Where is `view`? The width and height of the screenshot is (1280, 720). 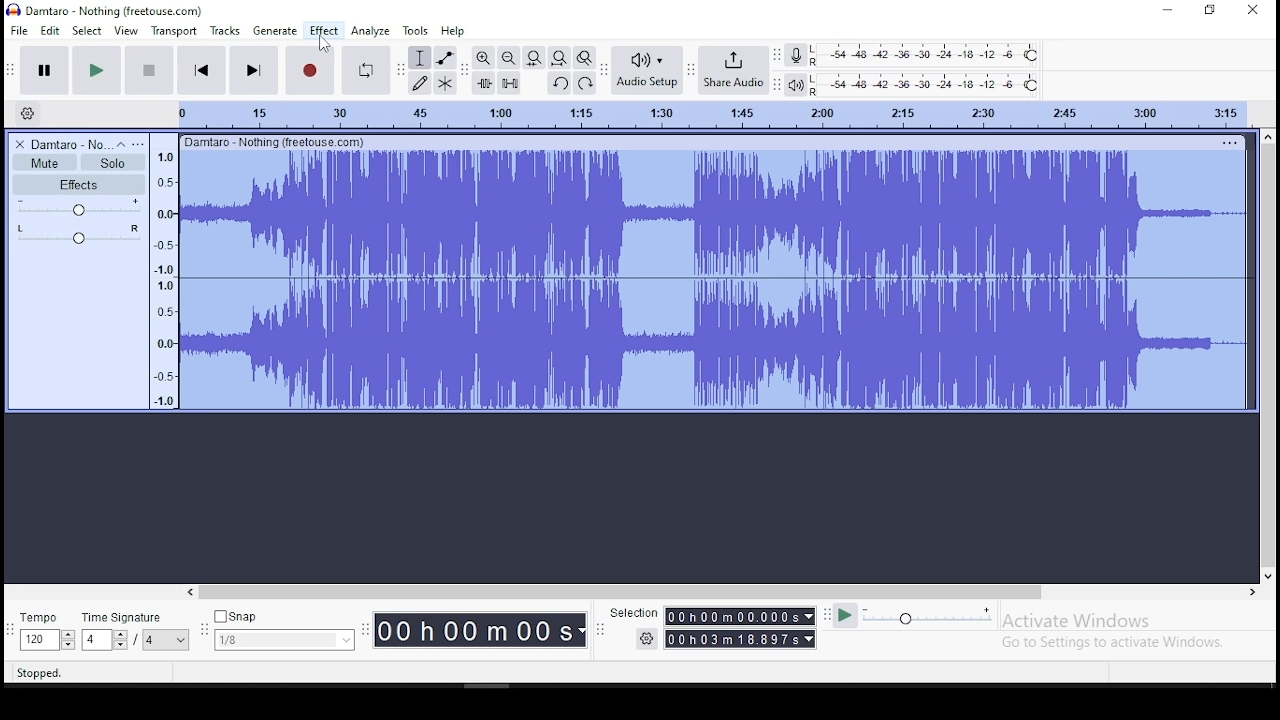 view is located at coordinates (126, 30).